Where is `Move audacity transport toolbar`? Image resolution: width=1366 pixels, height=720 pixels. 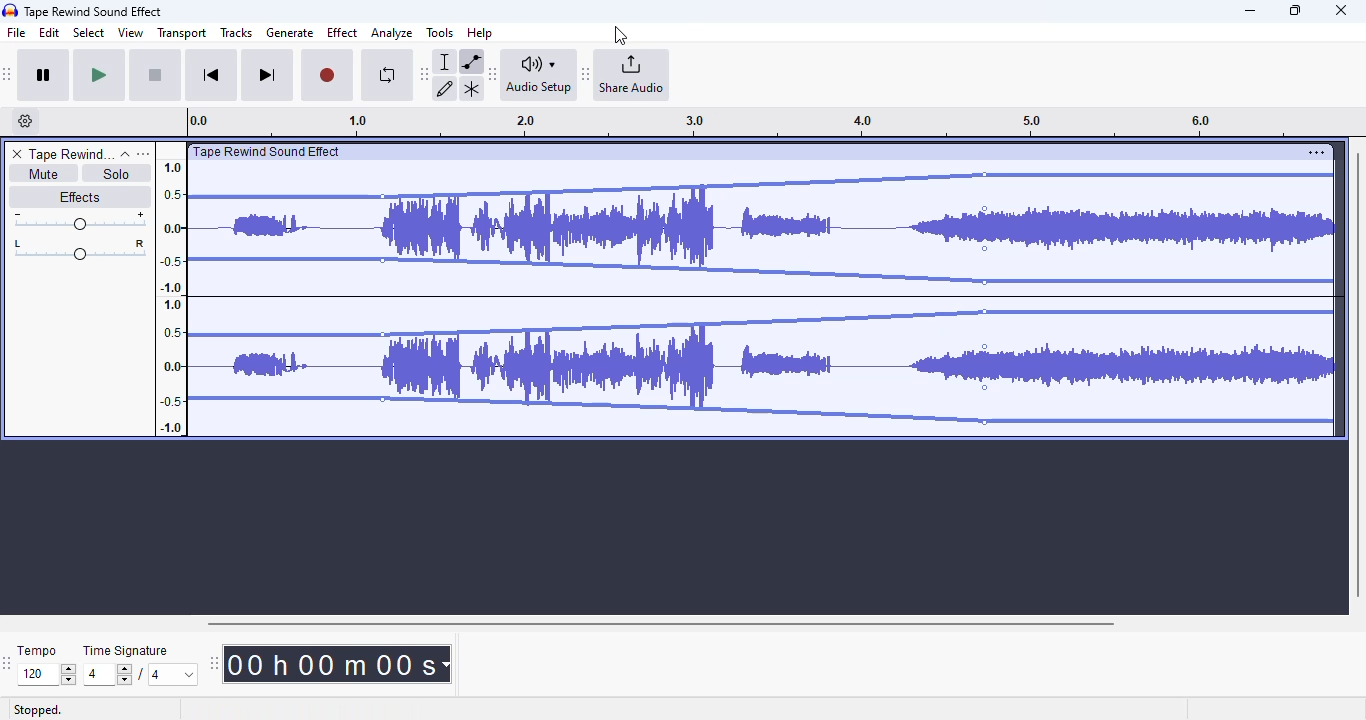
Move audacity transport toolbar is located at coordinates (8, 74).